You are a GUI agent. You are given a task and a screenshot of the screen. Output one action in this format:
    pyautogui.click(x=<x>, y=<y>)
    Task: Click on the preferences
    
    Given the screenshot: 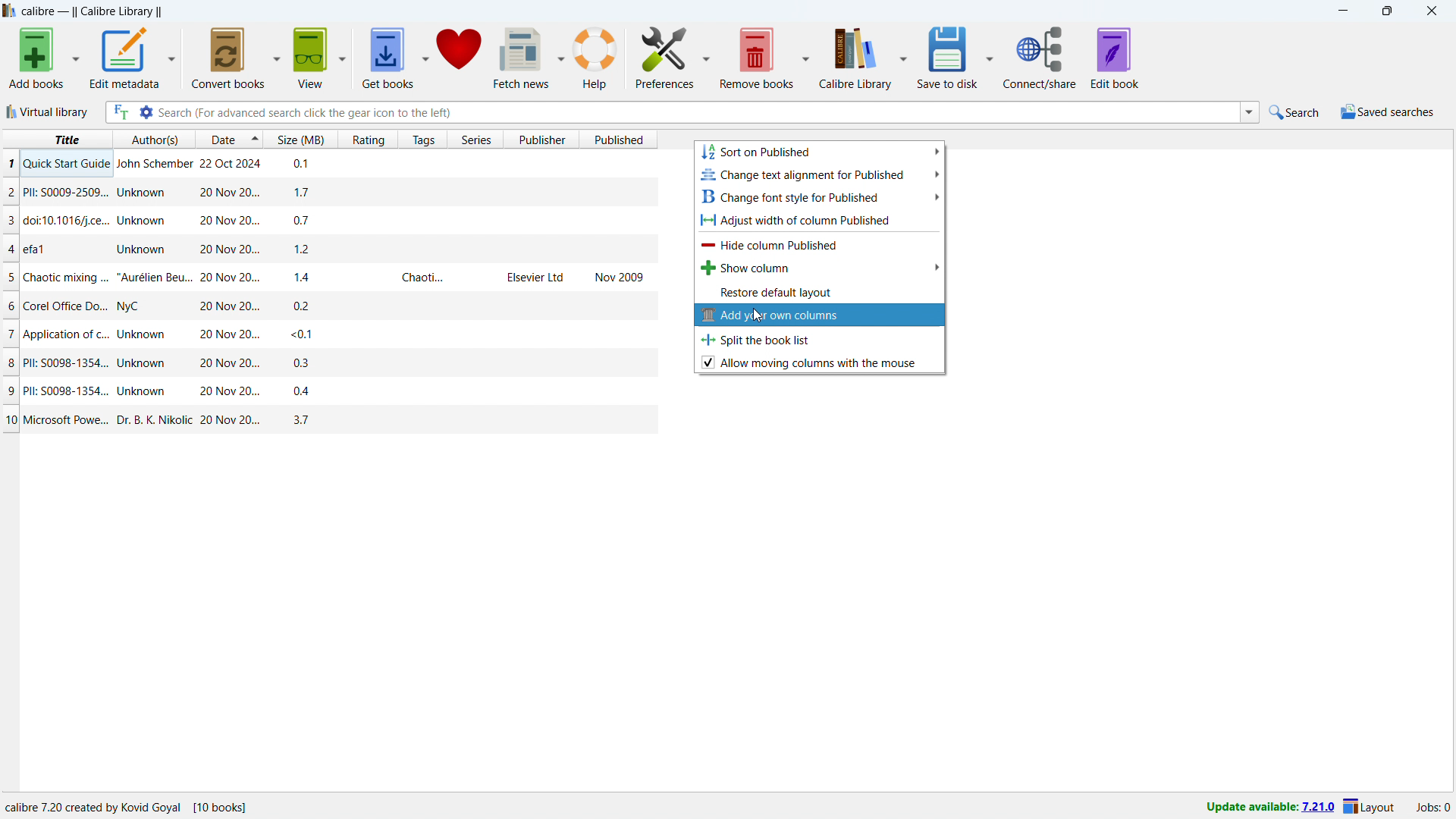 What is the action you would take?
    pyautogui.click(x=664, y=57)
    